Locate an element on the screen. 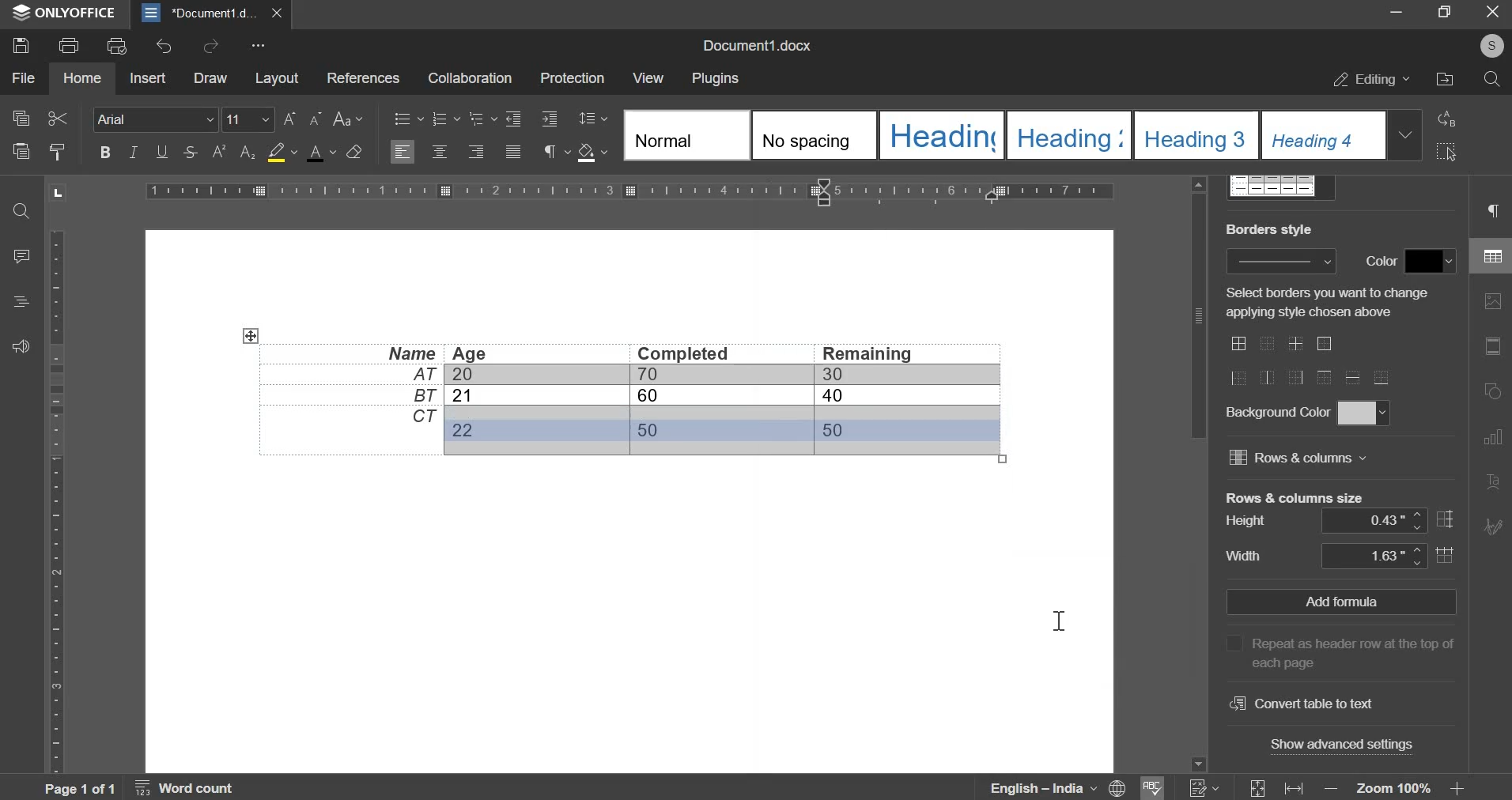  background color is located at coordinates (277, 153).